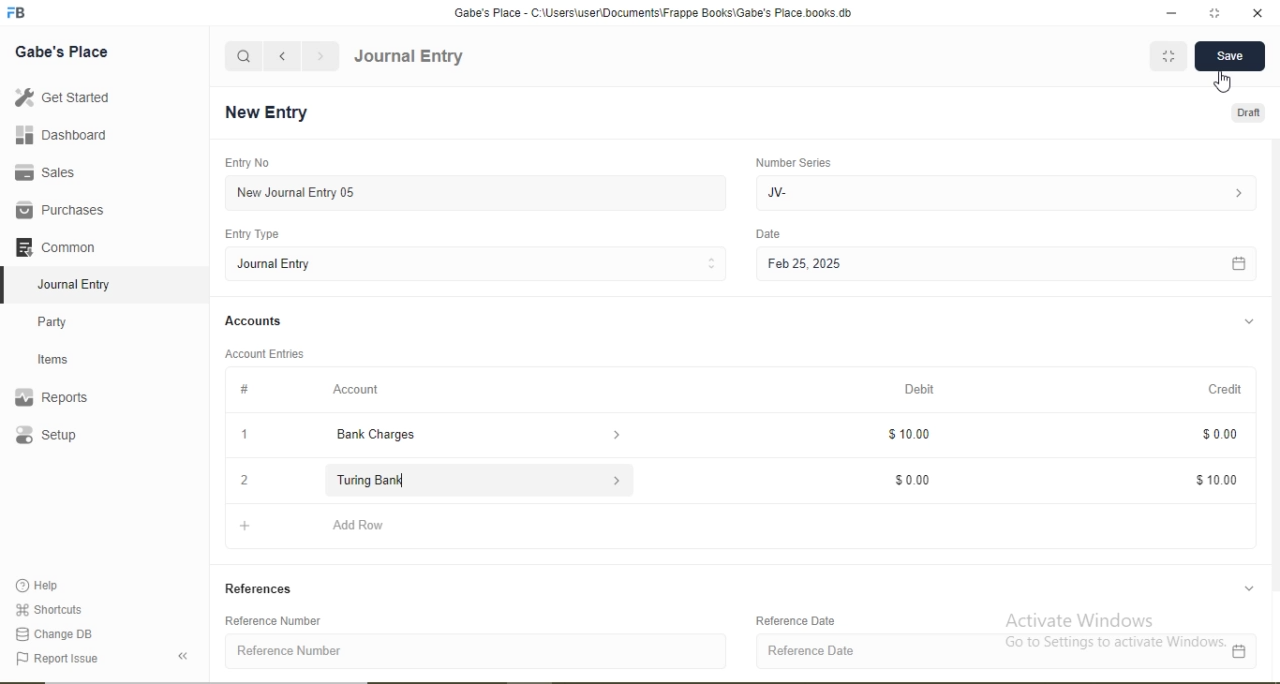 The image size is (1280, 684). I want to click on cursor, so click(1226, 83).